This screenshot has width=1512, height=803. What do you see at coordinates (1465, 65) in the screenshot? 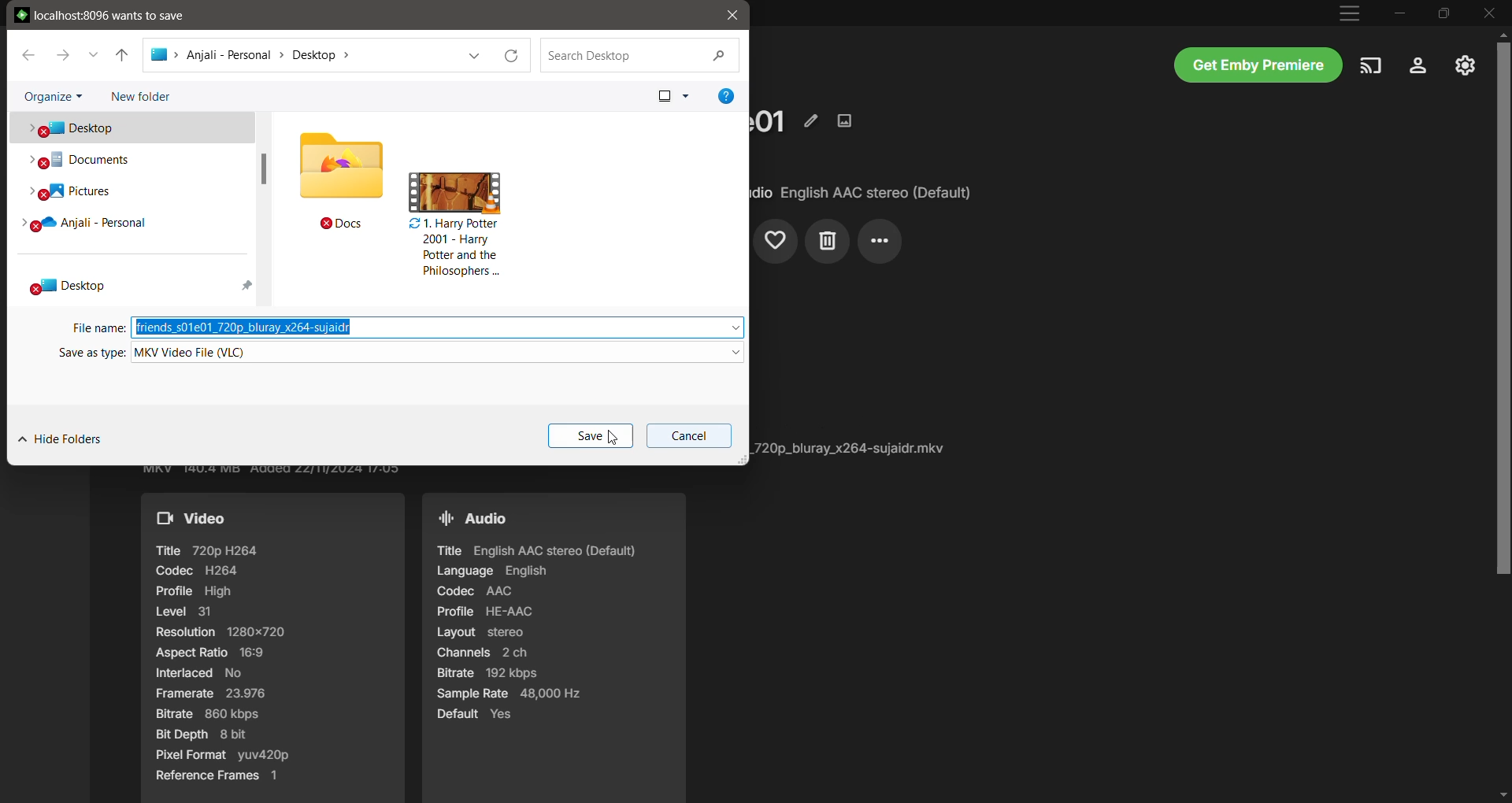
I see `Manage Emby Server` at bounding box center [1465, 65].